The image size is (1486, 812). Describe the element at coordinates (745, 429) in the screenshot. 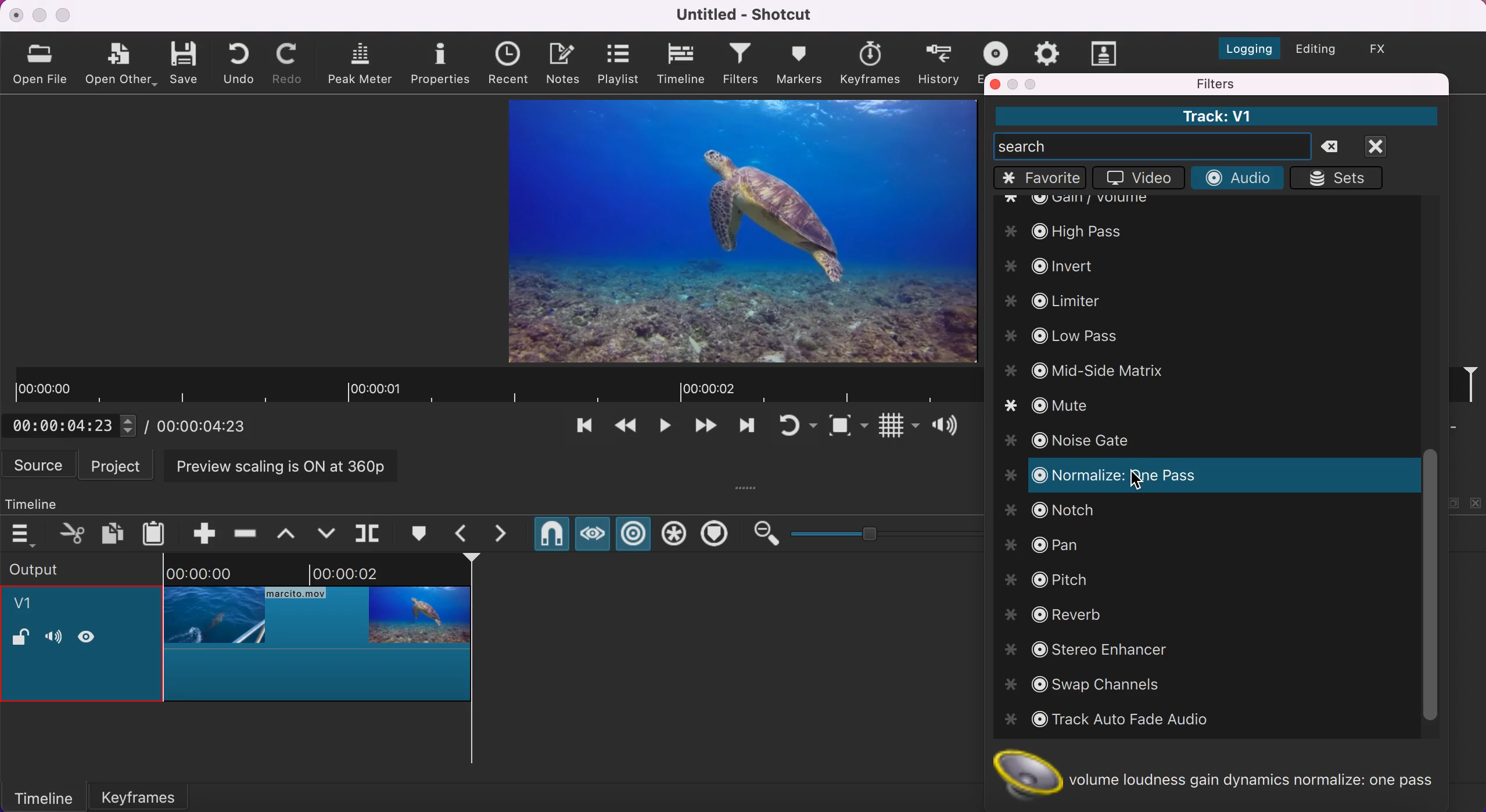

I see `play quickly forwards` at that location.